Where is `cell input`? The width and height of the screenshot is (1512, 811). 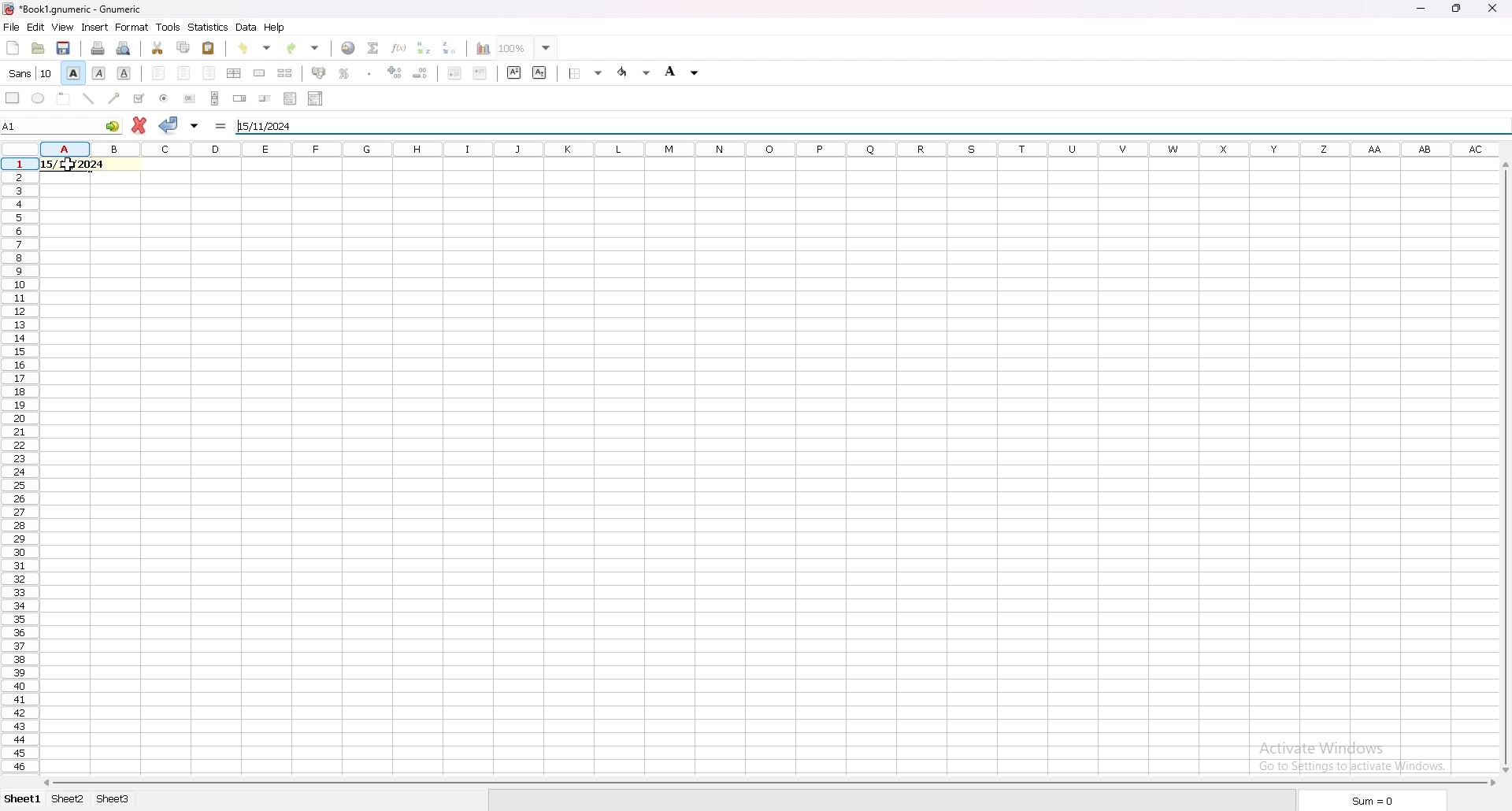 cell input is located at coordinates (81, 164).